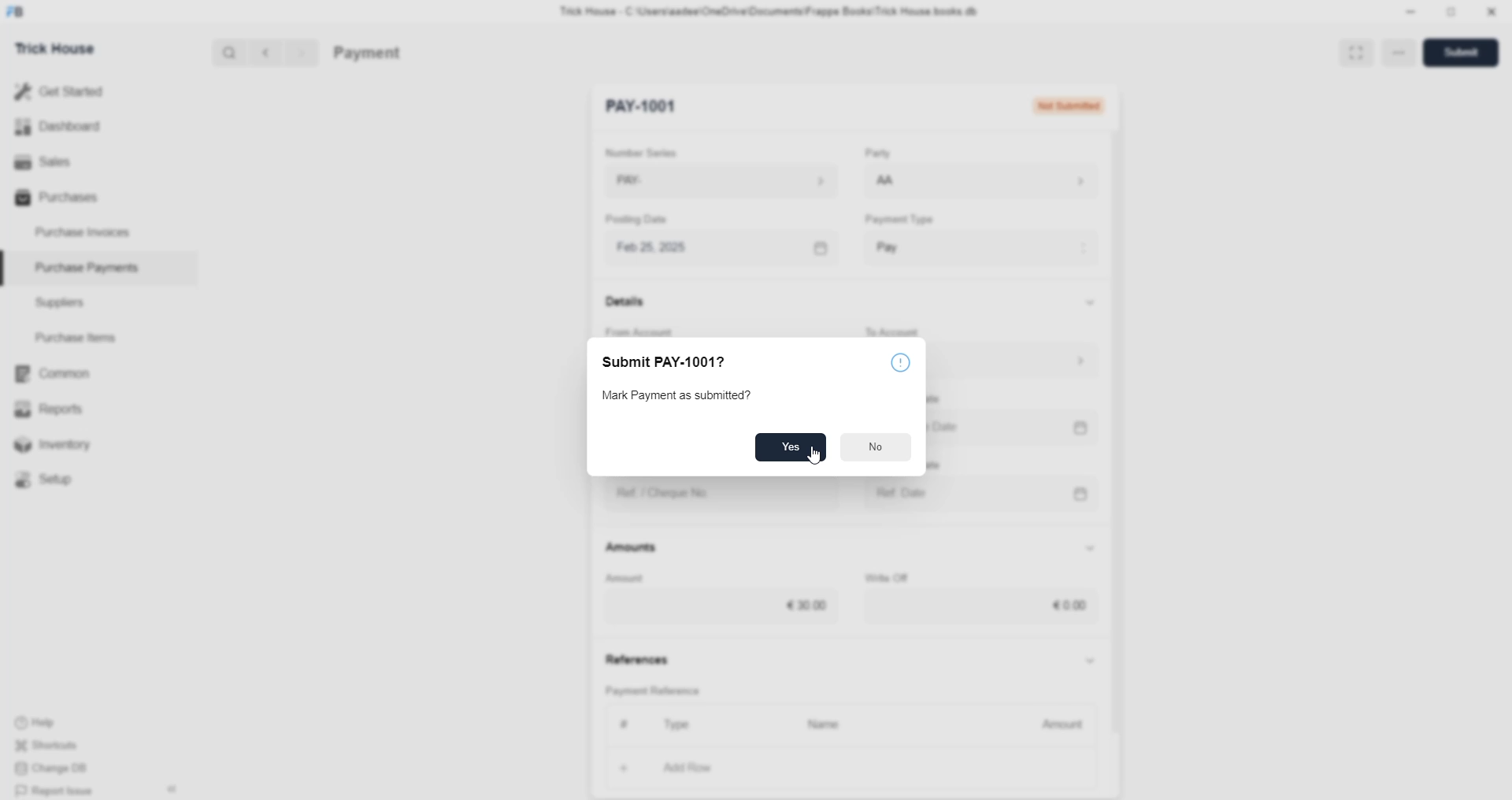 This screenshot has height=800, width=1512. I want to click on payment type, so click(909, 220).